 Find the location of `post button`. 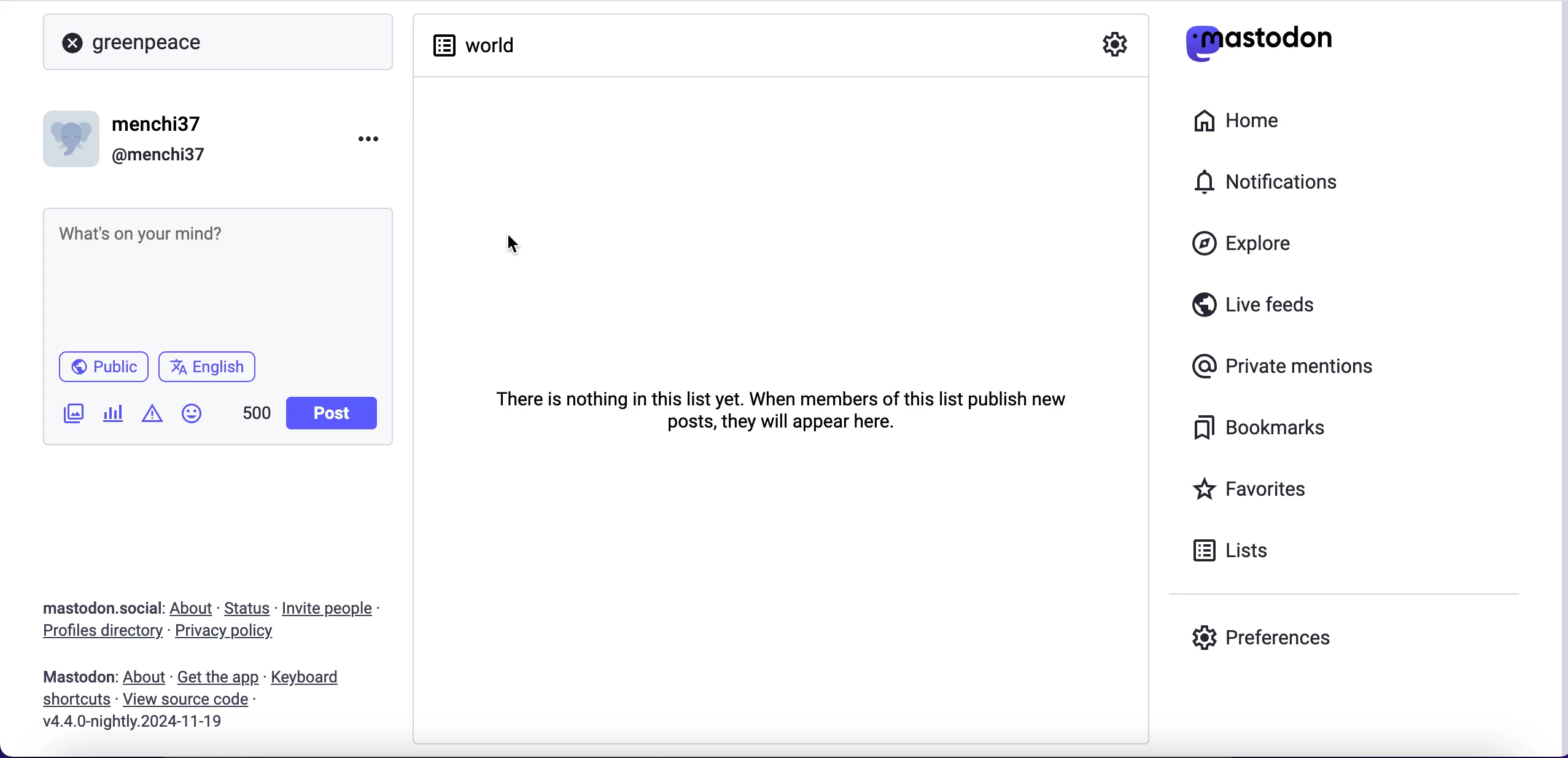

post button is located at coordinates (335, 413).